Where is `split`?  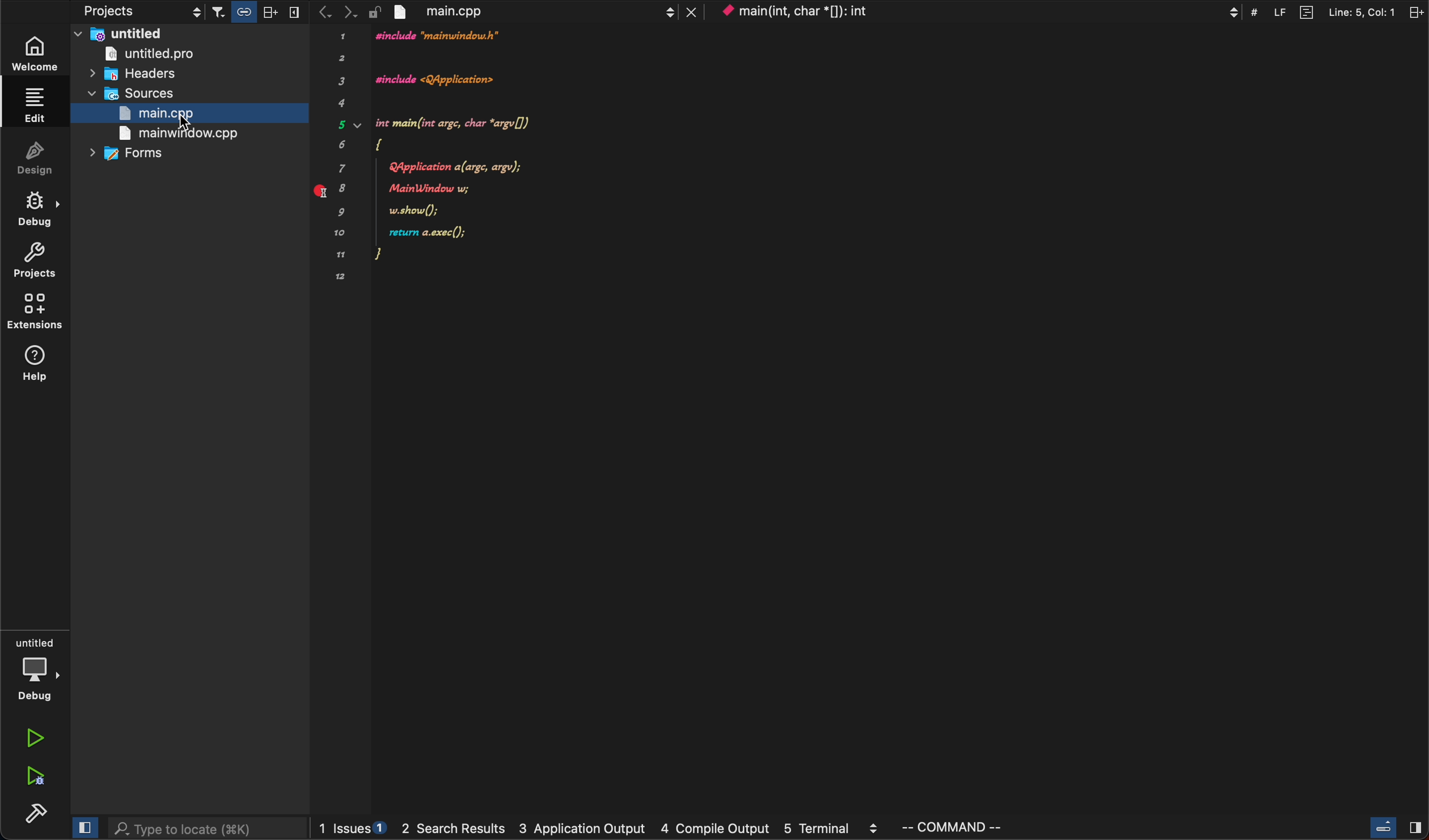 split is located at coordinates (1348, 11).